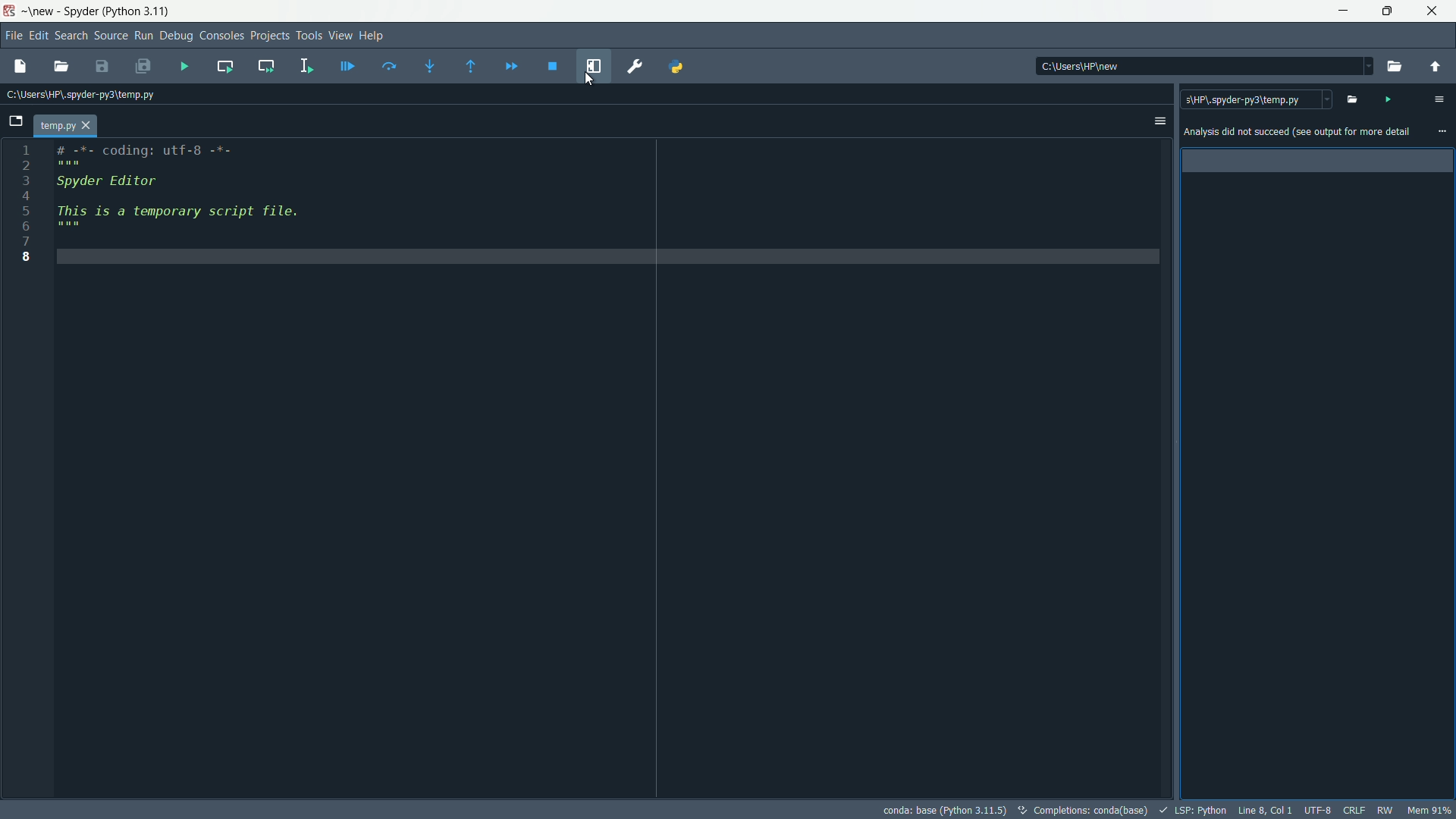 The height and width of the screenshot is (819, 1456). Describe the element at coordinates (71, 36) in the screenshot. I see `search menu` at that location.